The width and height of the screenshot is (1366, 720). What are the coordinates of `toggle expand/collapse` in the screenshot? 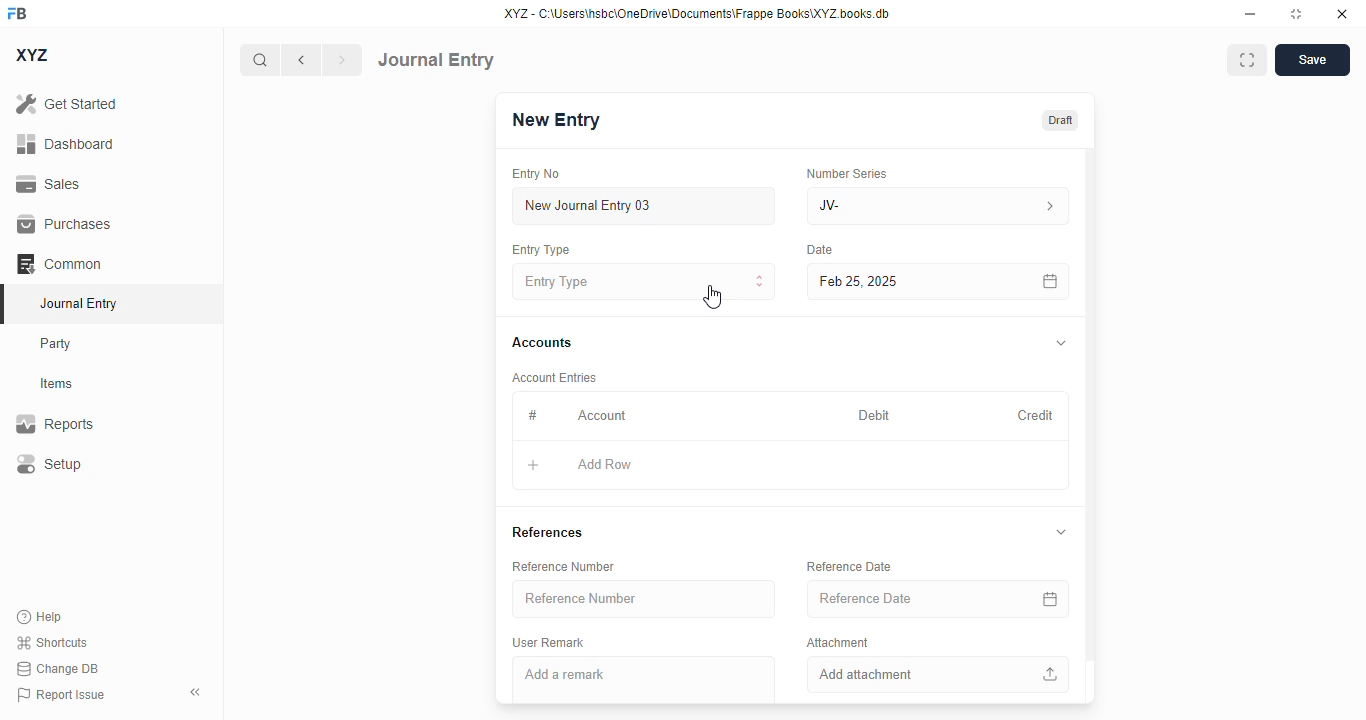 It's located at (1062, 532).